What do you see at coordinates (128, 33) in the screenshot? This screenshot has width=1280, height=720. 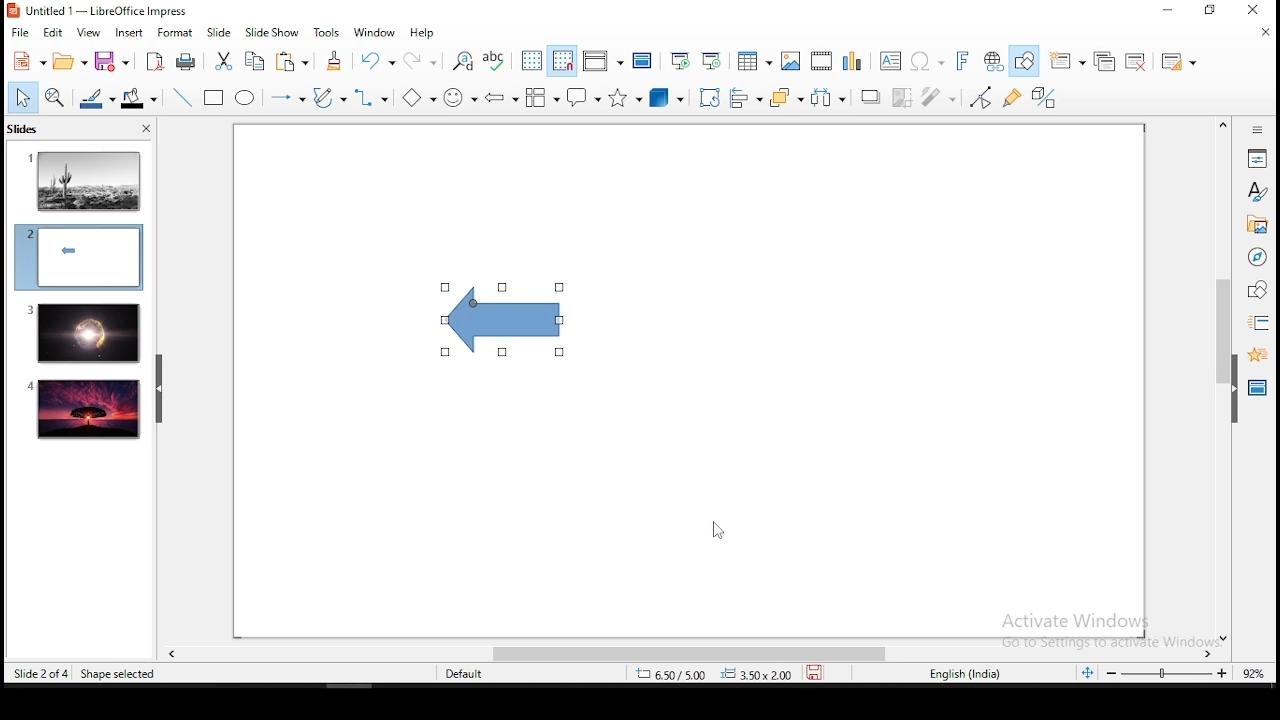 I see `insert` at bounding box center [128, 33].